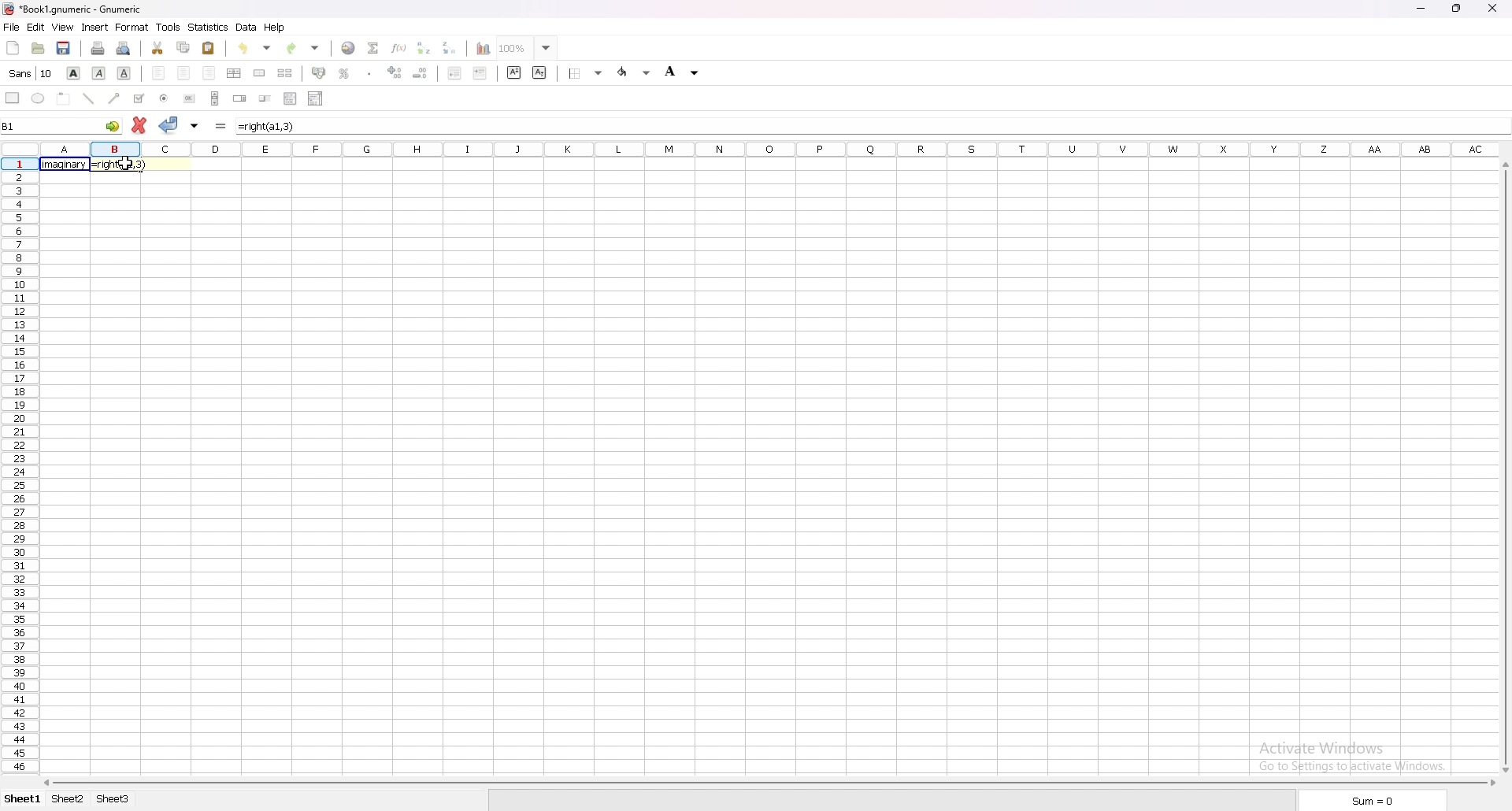 The width and height of the screenshot is (1512, 811). Describe the element at coordinates (247, 28) in the screenshot. I see `data` at that location.